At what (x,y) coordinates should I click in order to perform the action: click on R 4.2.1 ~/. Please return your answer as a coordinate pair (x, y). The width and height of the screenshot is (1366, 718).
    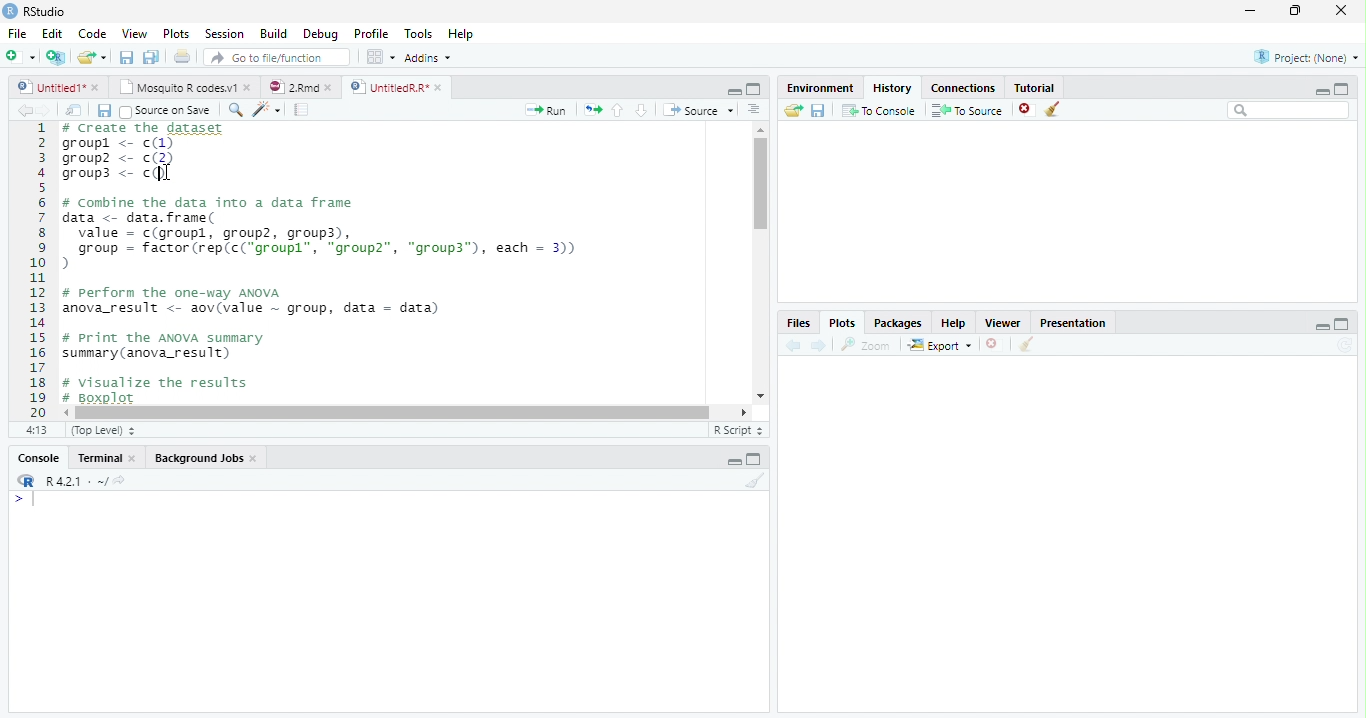
    Looking at the image, I should click on (77, 481).